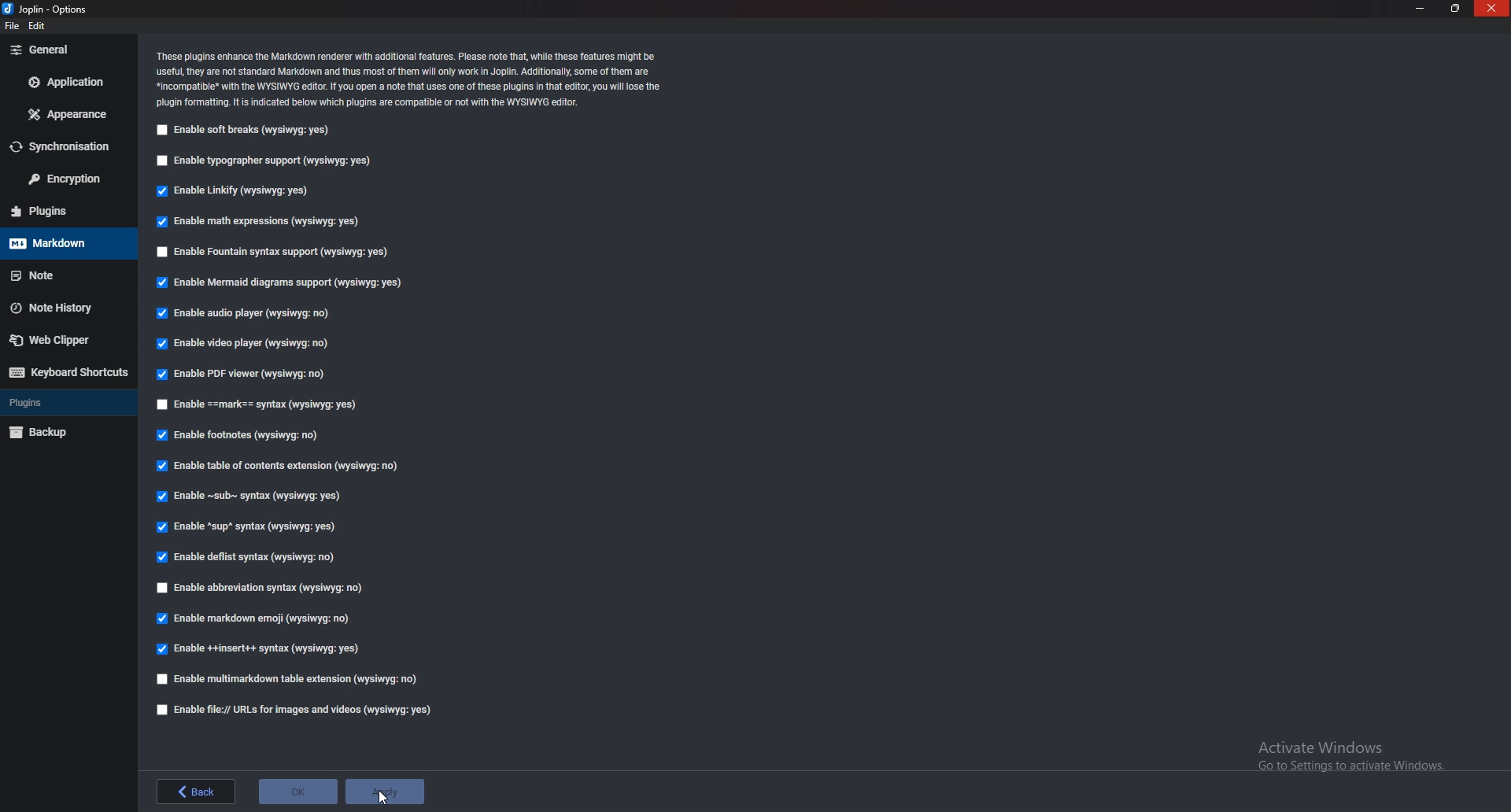 The height and width of the screenshot is (812, 1511). I want to click on Web clipper, so click(53, 338).